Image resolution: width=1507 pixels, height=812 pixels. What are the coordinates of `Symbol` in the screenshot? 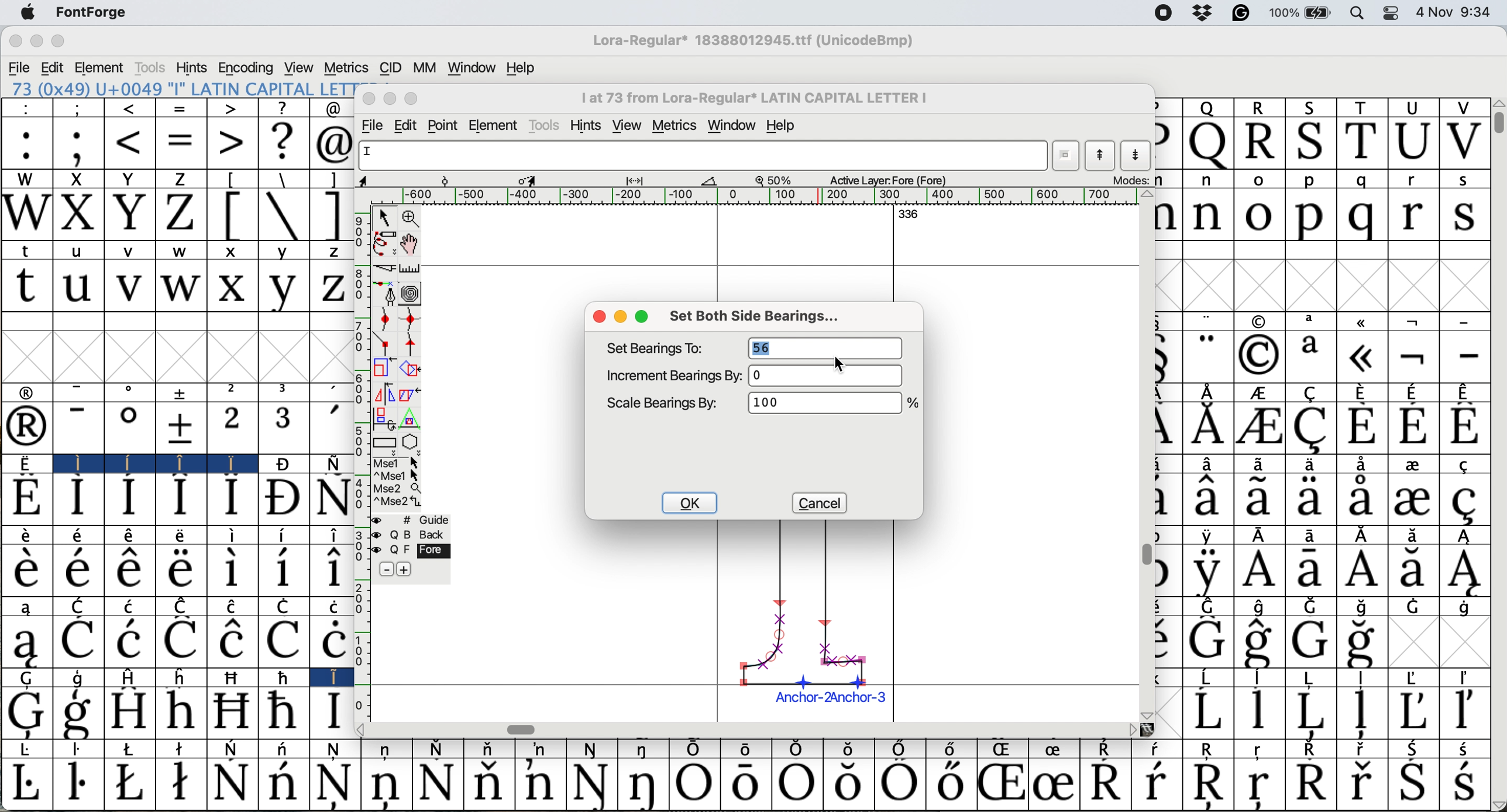 It's located at (282, 464).